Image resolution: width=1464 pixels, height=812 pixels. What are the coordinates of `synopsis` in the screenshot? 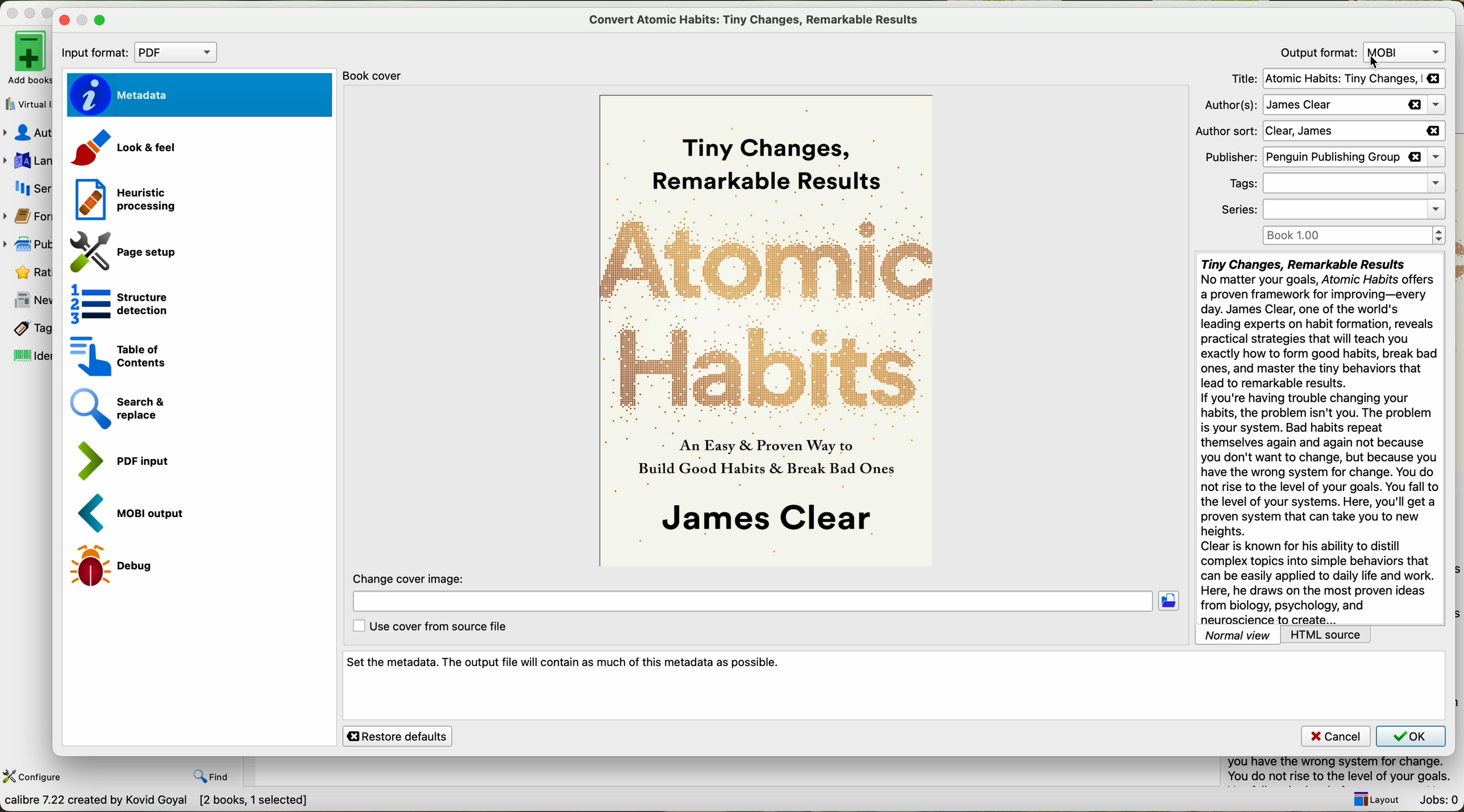 It's located at (1320, 439).